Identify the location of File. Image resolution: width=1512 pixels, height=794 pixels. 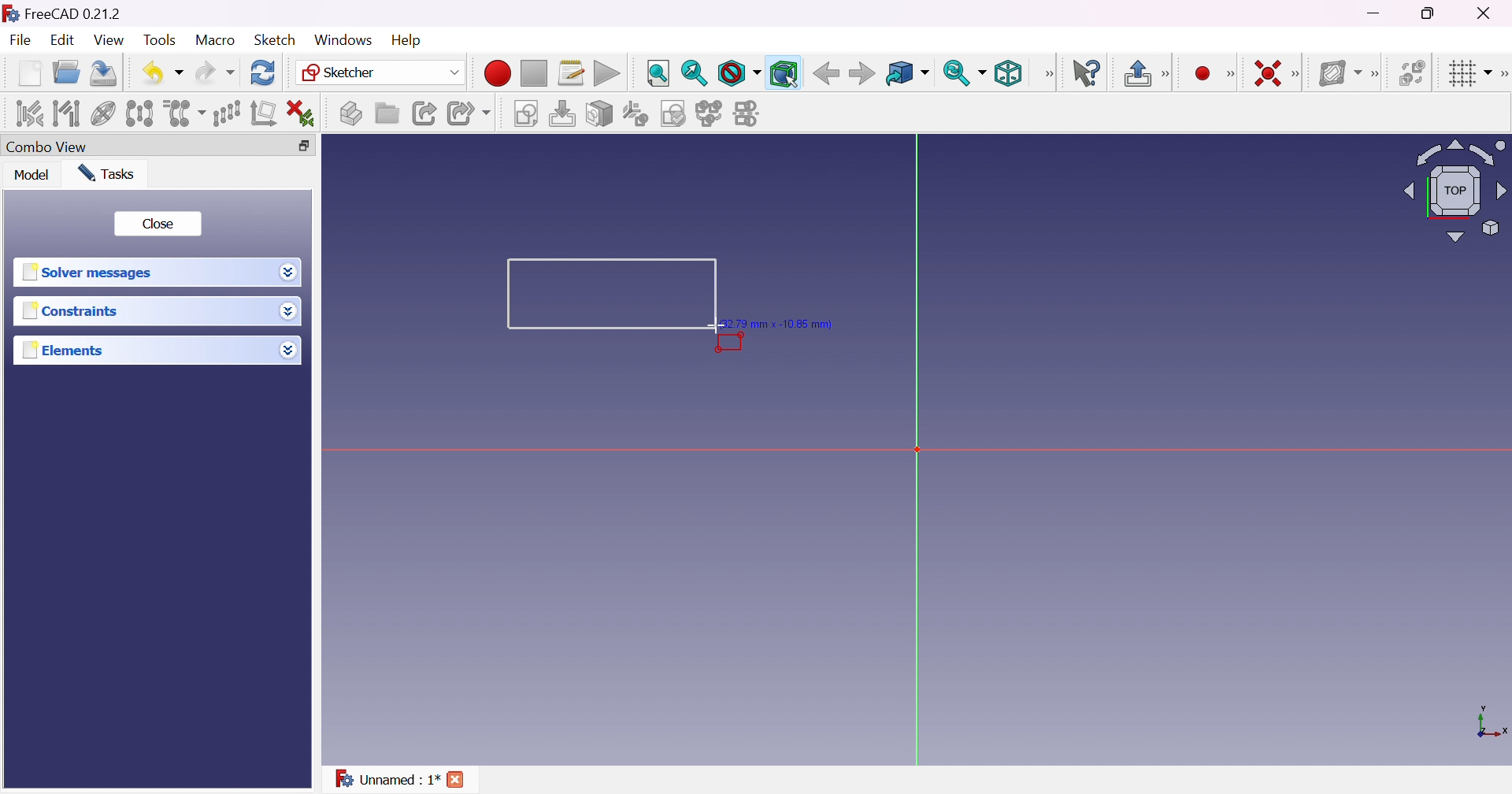
(20, 39).